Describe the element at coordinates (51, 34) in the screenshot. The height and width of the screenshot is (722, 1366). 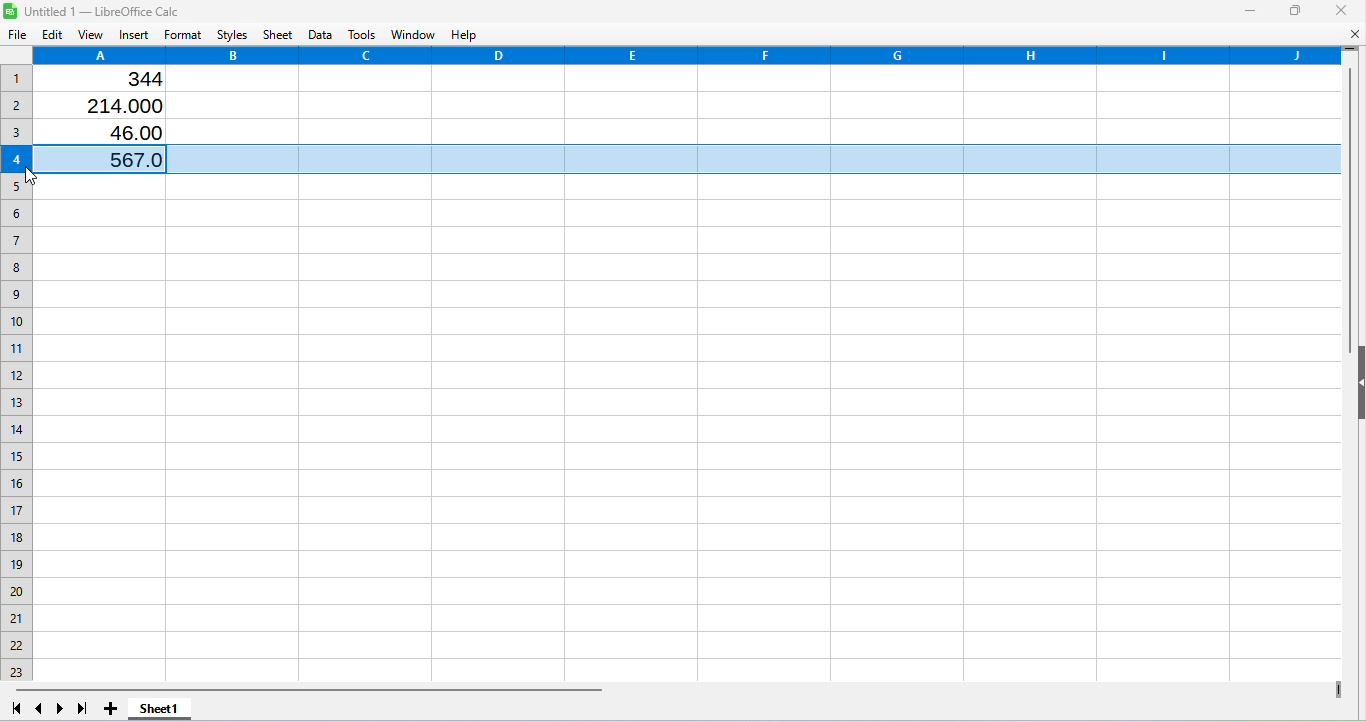
I see `Edit` at that location.